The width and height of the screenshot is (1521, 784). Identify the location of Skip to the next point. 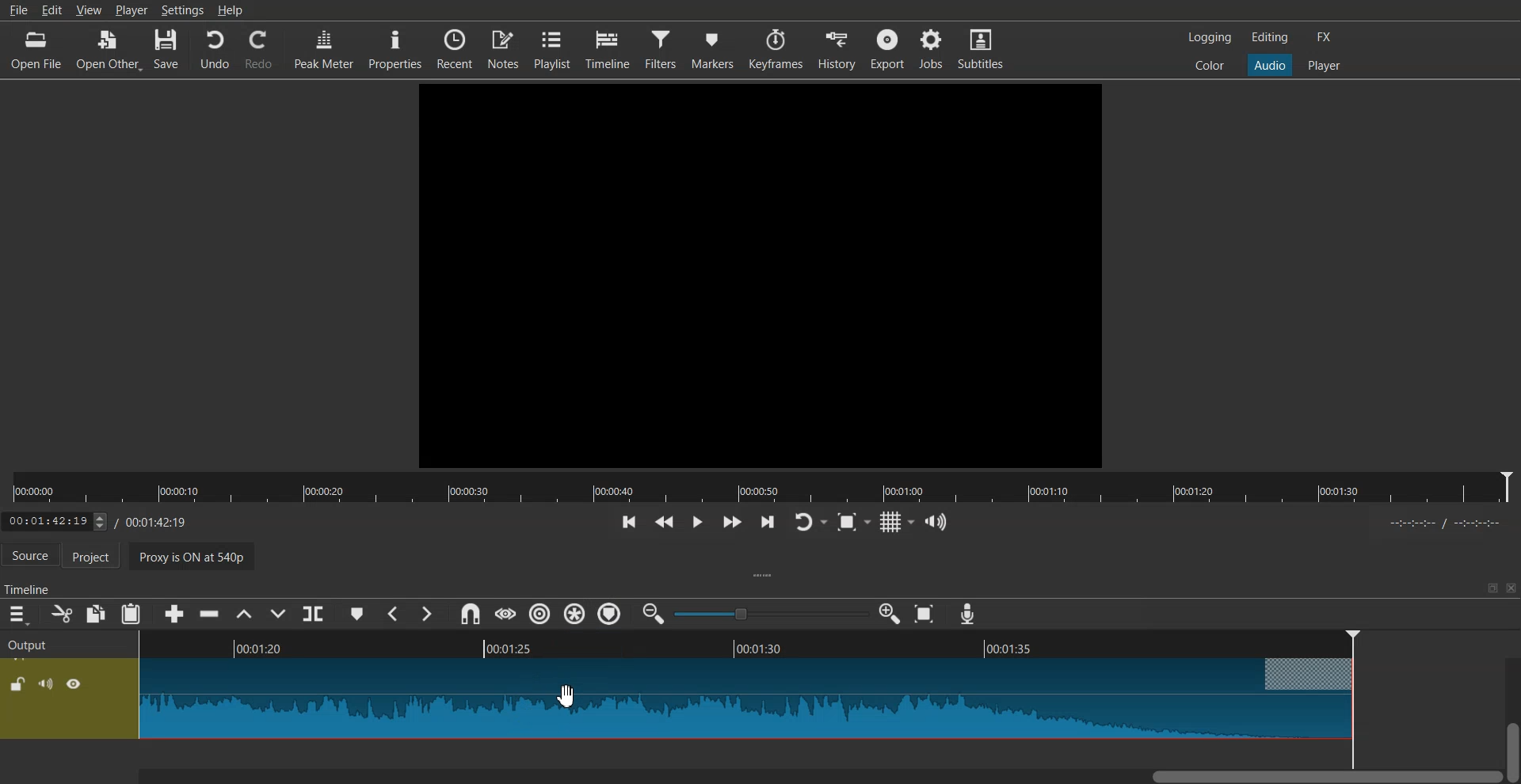
(768, 523).